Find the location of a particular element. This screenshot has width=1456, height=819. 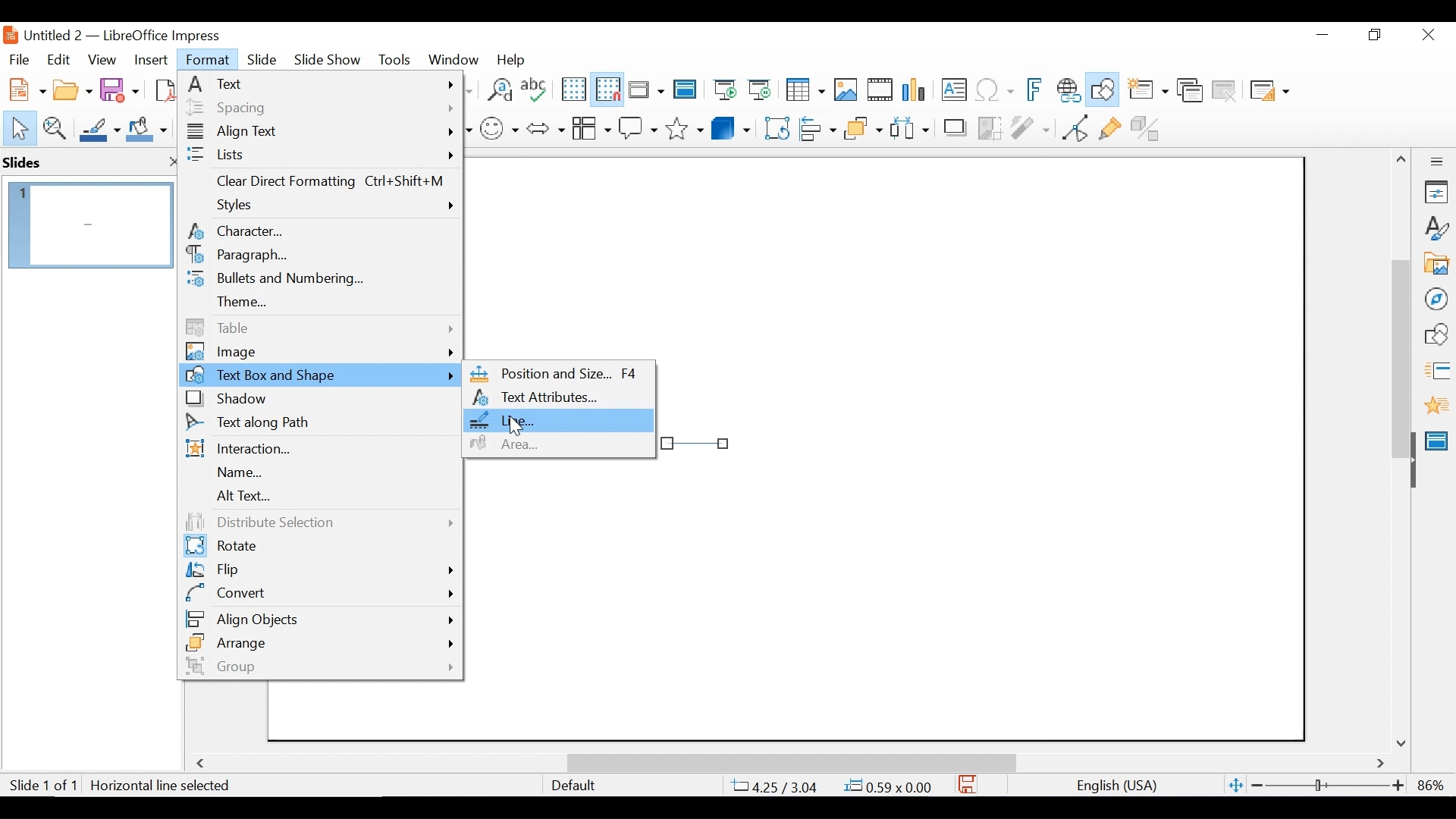

Slide Layout is located at coordinates (1268, 92).